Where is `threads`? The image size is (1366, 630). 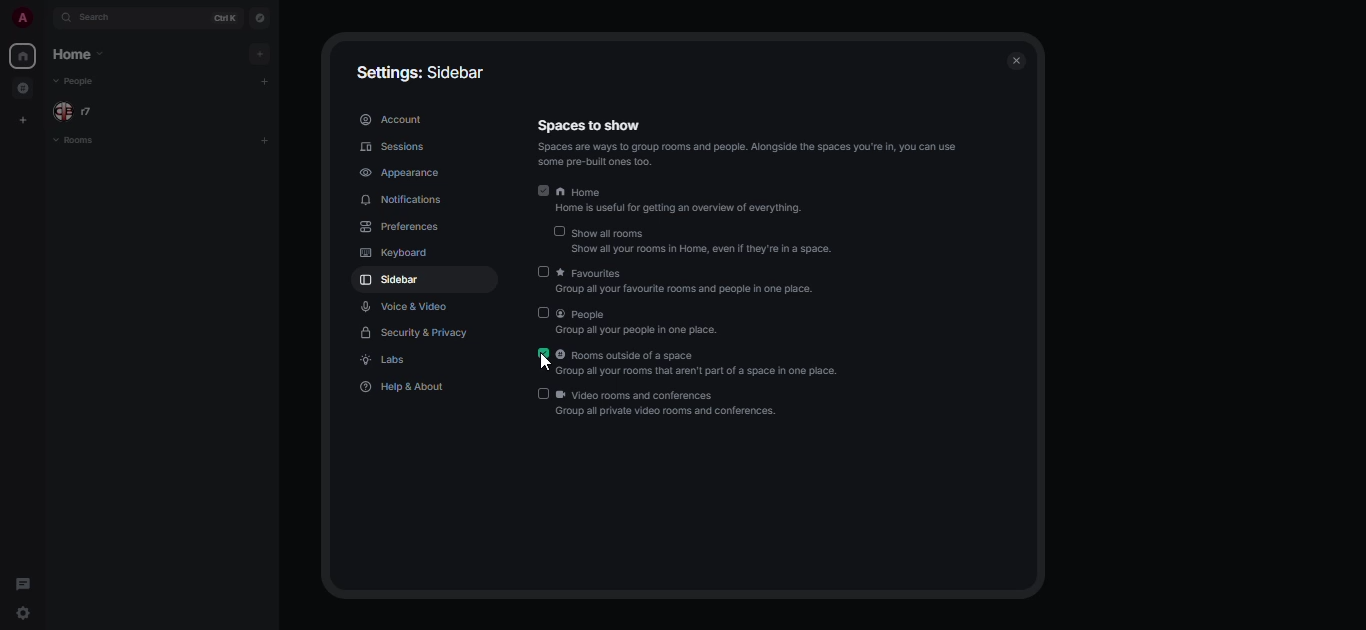
threads is located at coordinates (23, 586).